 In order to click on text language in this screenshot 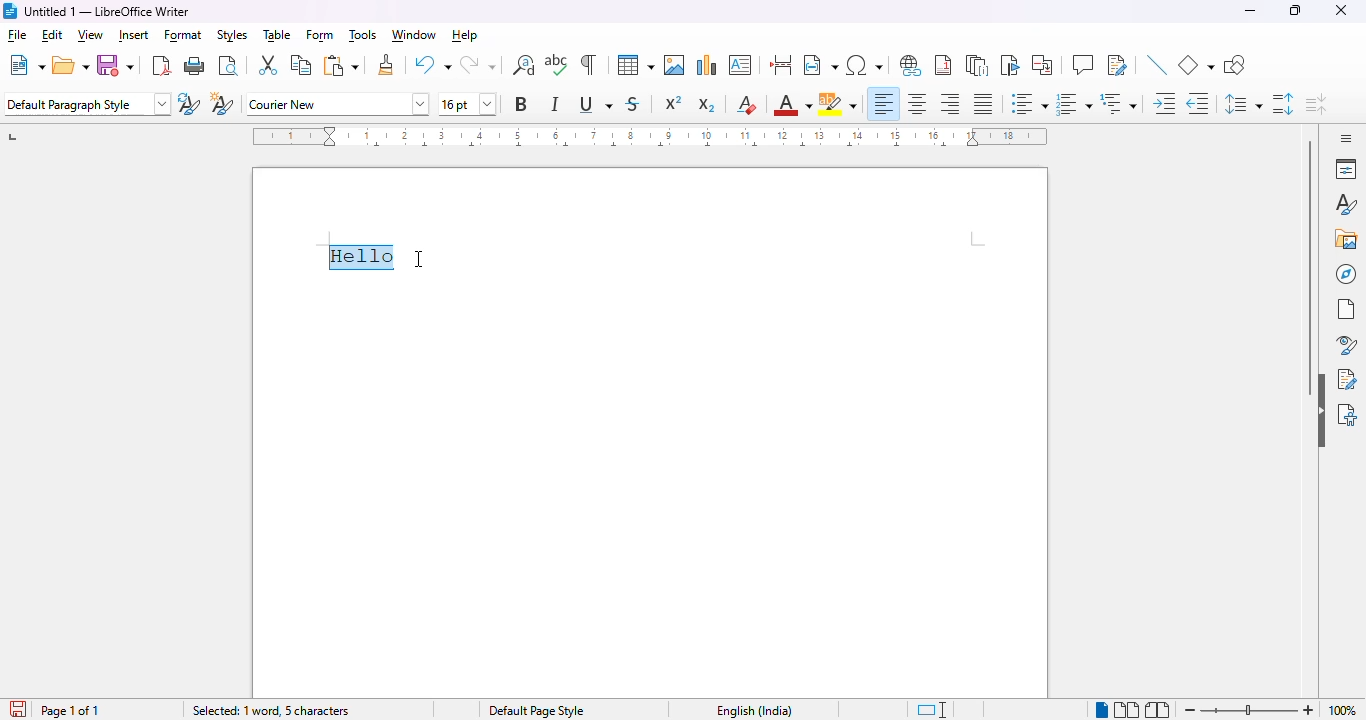, I will do `click(750, 710)`.